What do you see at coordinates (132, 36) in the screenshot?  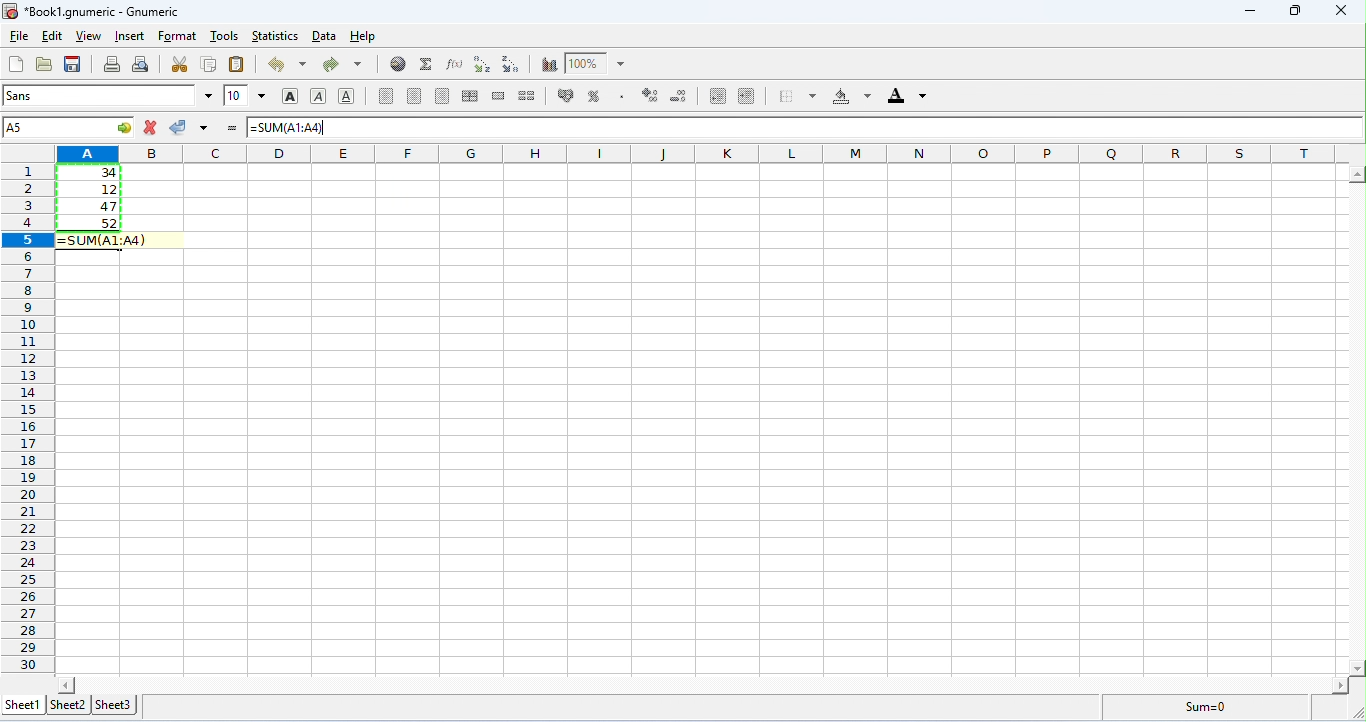 I see `insert` at bounding box center [132, 36].